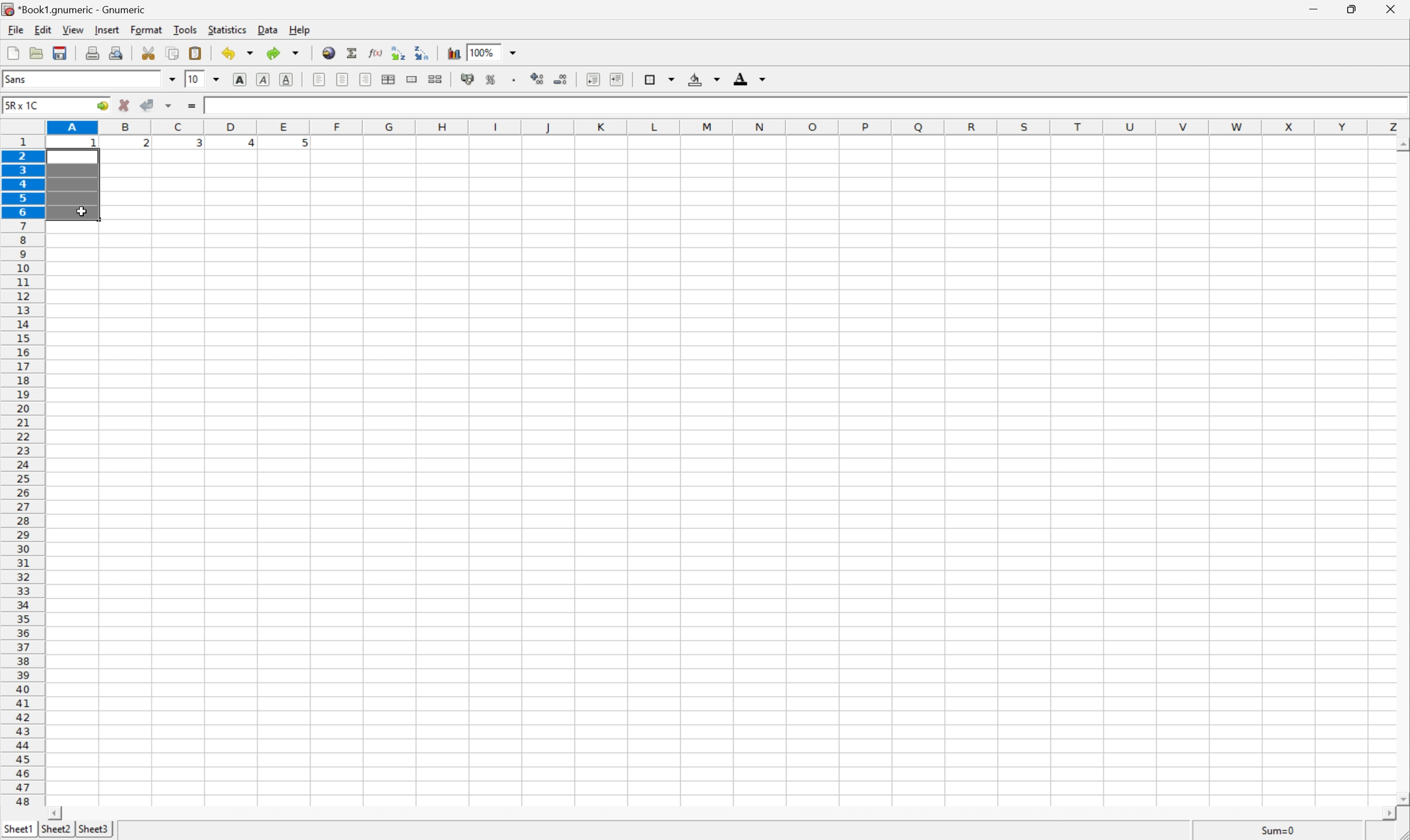 The width and height of the screenshot is (1410, 840). Describe the element at coordinates (615, 79) in the screenshot. I see `increase indent` at that location.